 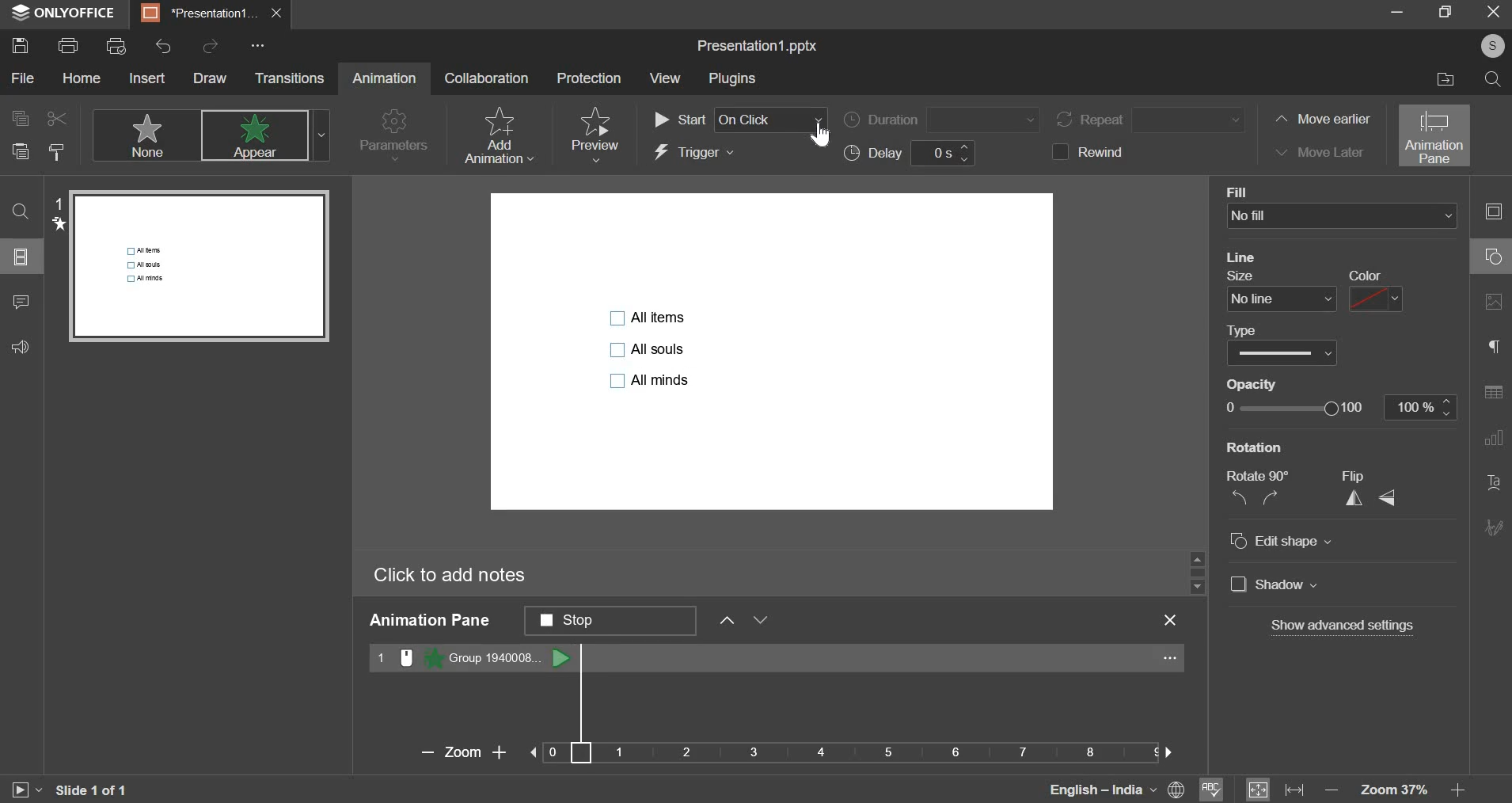 What do you see at coordinates (1344, 215) in the screenshot?
I see `background fill` at bounding box center [1344, 215].